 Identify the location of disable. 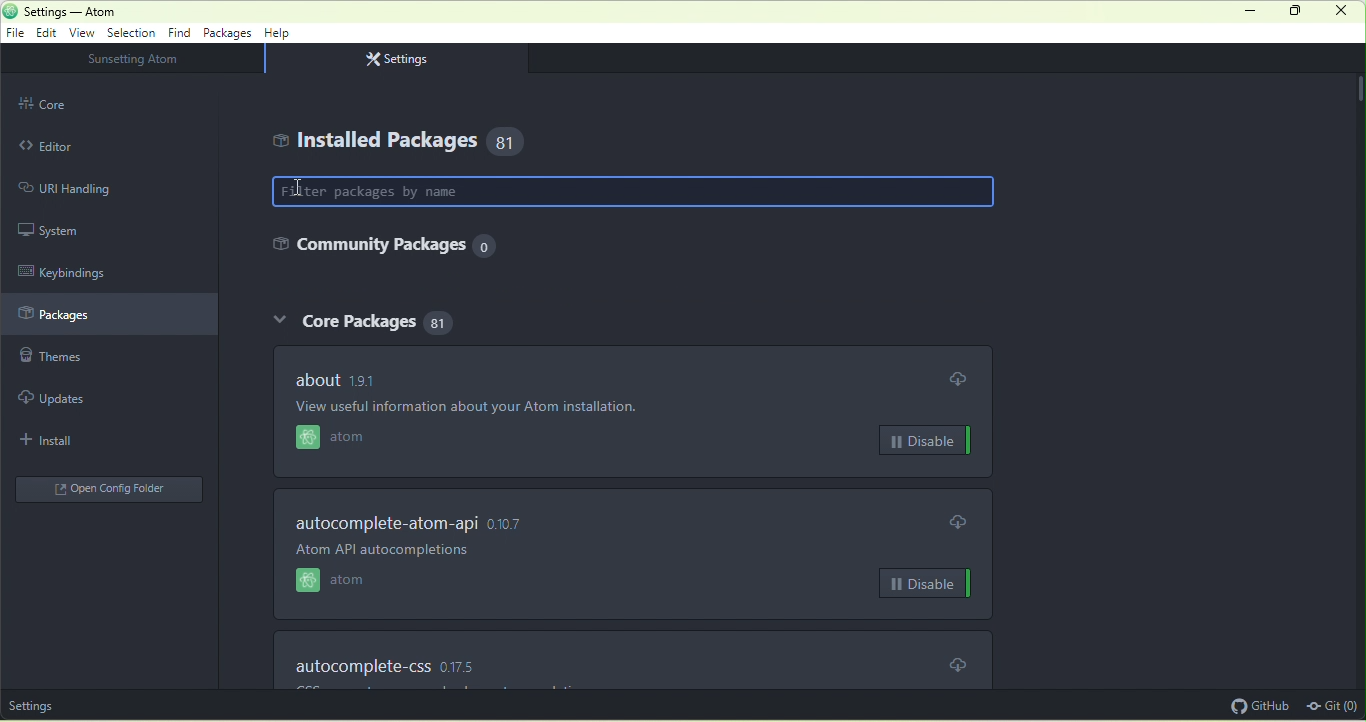
(926, 585).